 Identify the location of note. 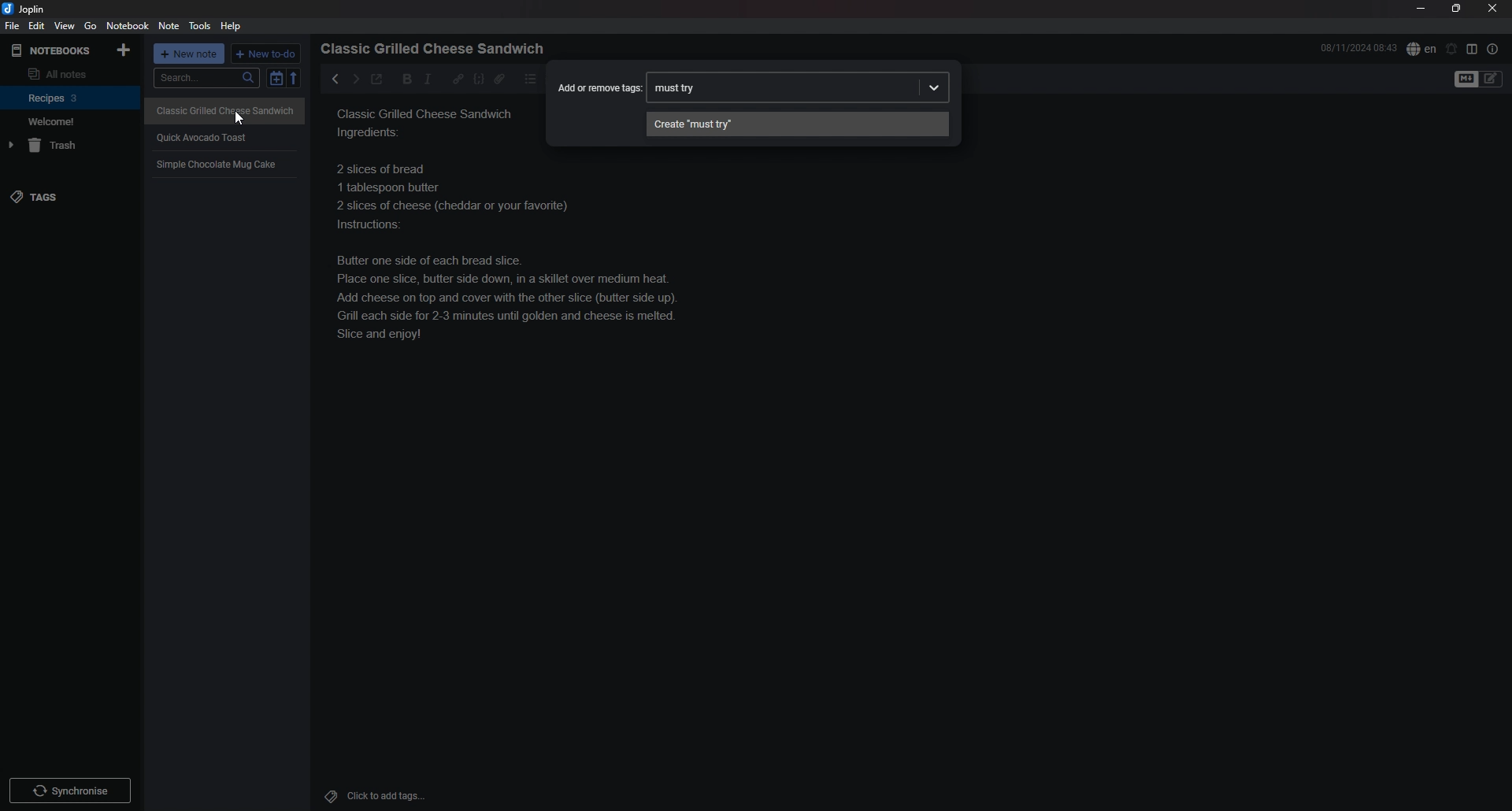
(168, 26).